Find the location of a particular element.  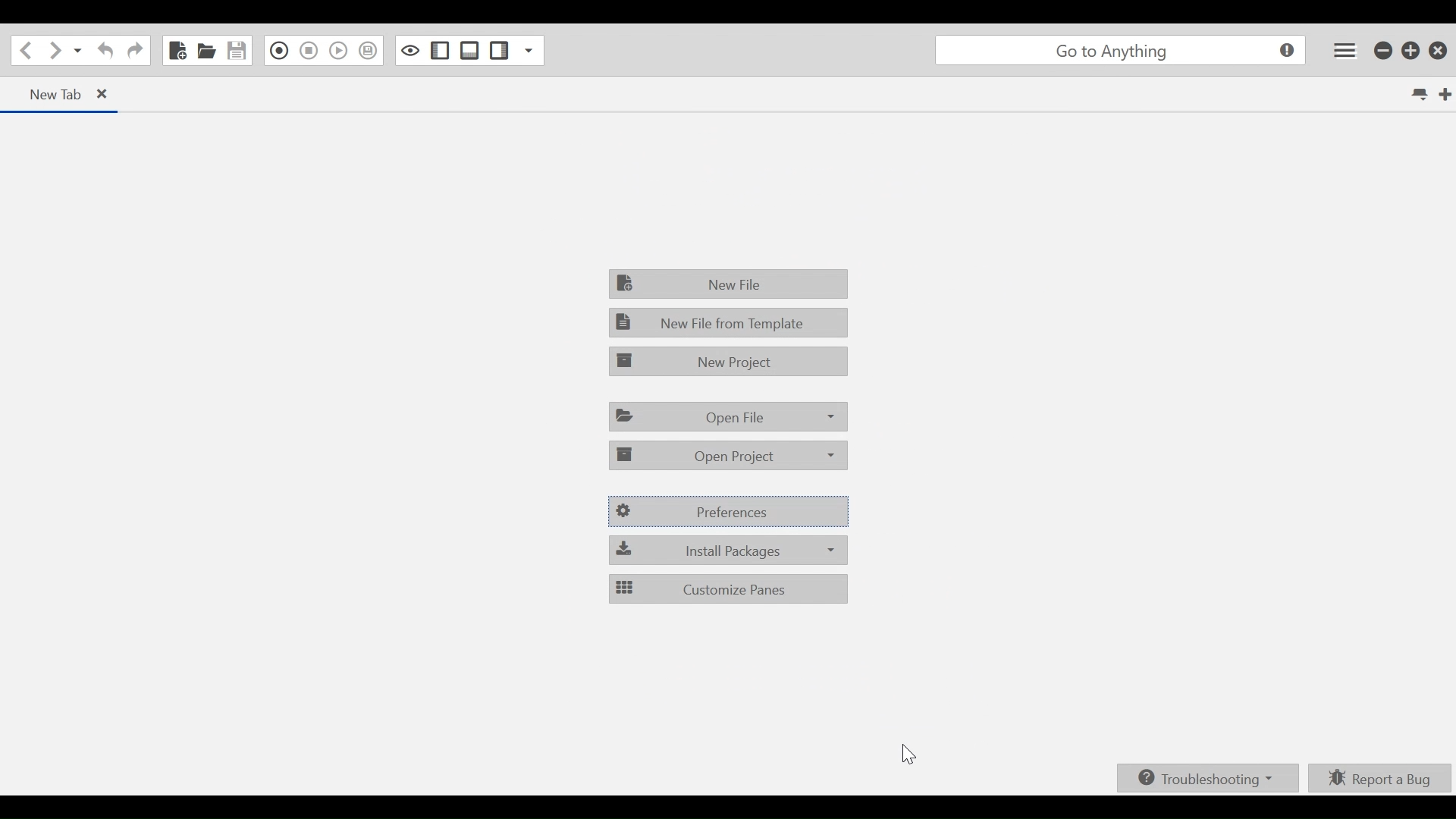

New File  is located at coordinates (176, 50).